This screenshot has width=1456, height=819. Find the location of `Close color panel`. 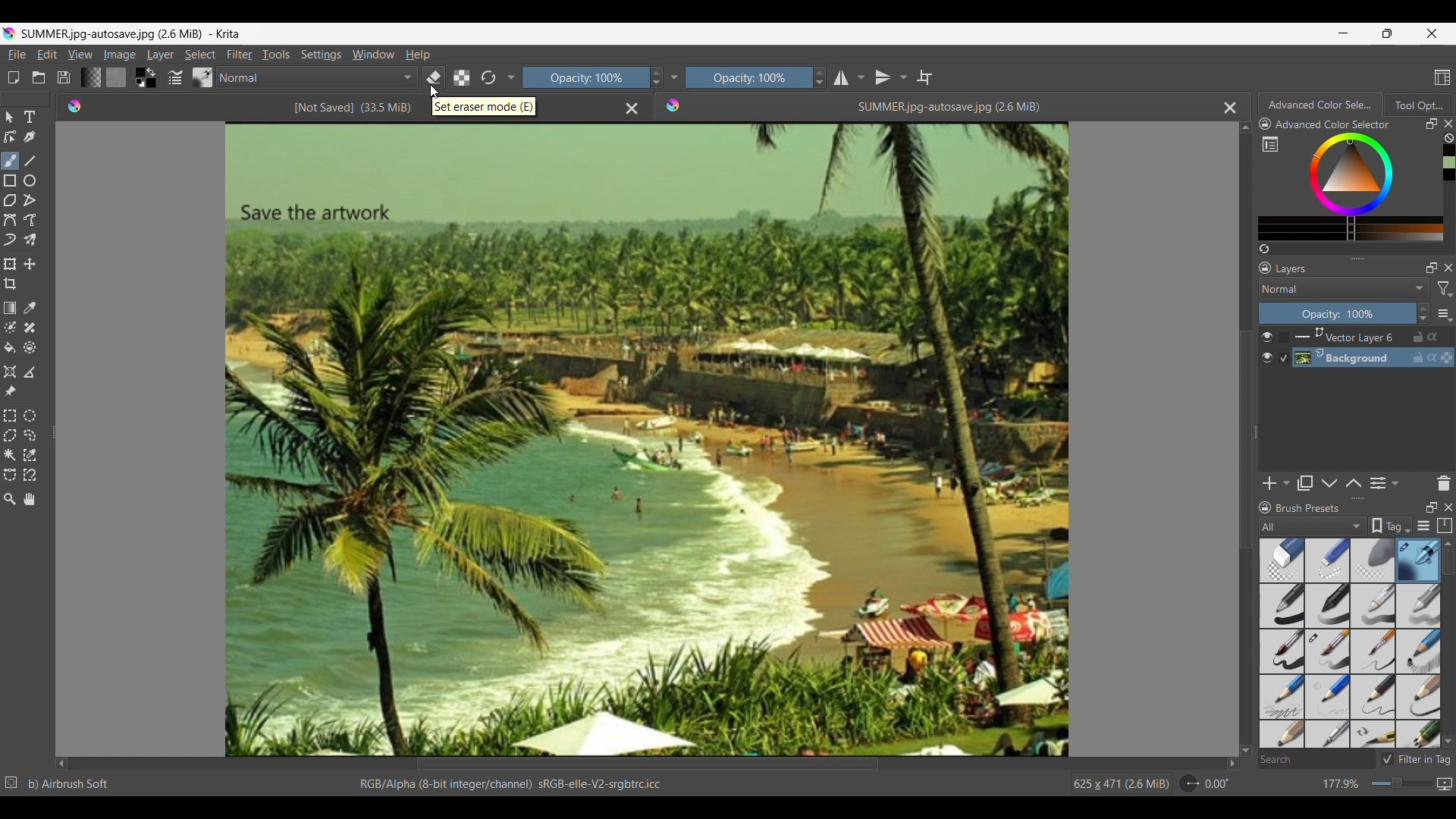

Close color panel is located at coordinates (1448, 124).